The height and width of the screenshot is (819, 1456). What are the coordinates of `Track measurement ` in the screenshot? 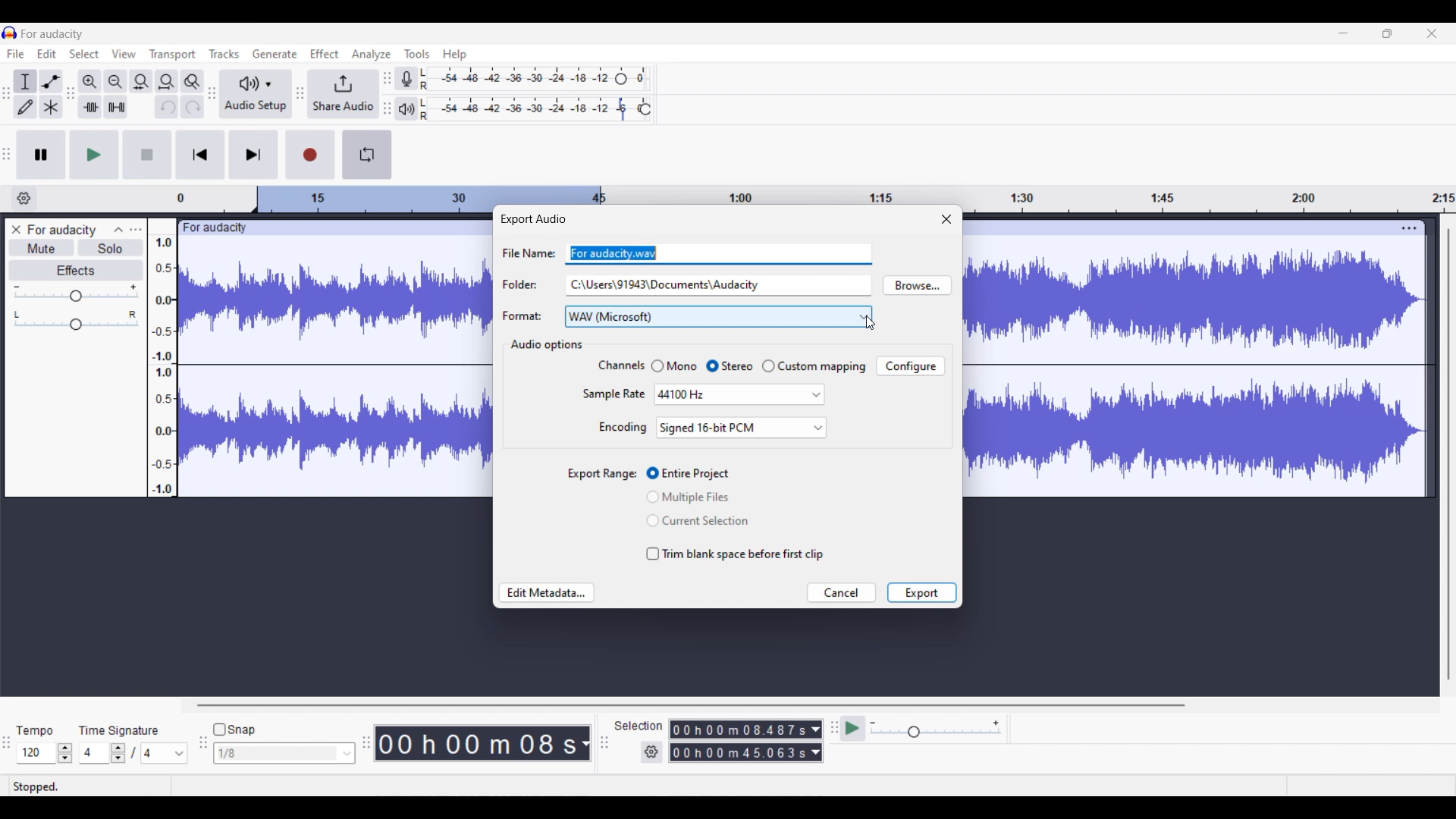 It's located at (584, 743).